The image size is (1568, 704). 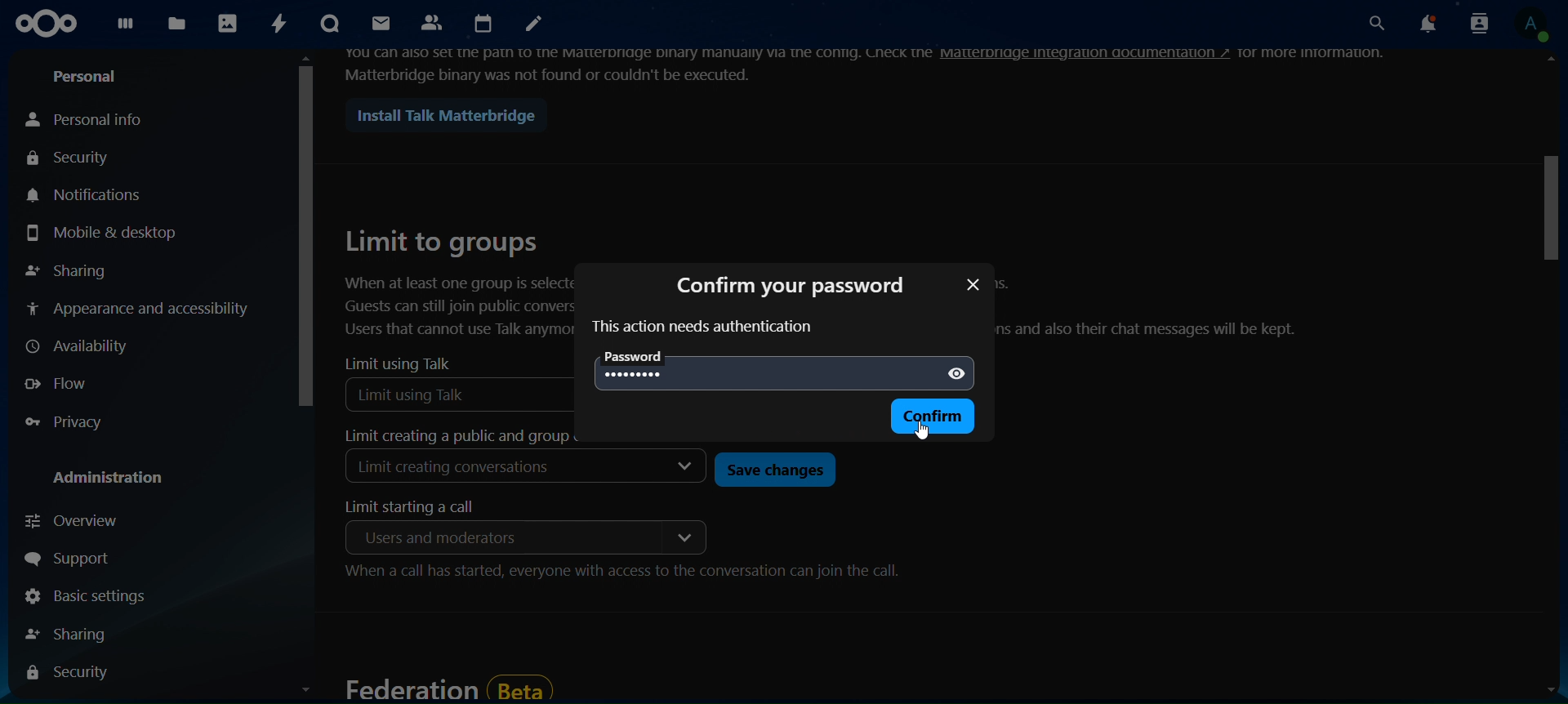 I want to click on federation, so click(x=448, y=687).